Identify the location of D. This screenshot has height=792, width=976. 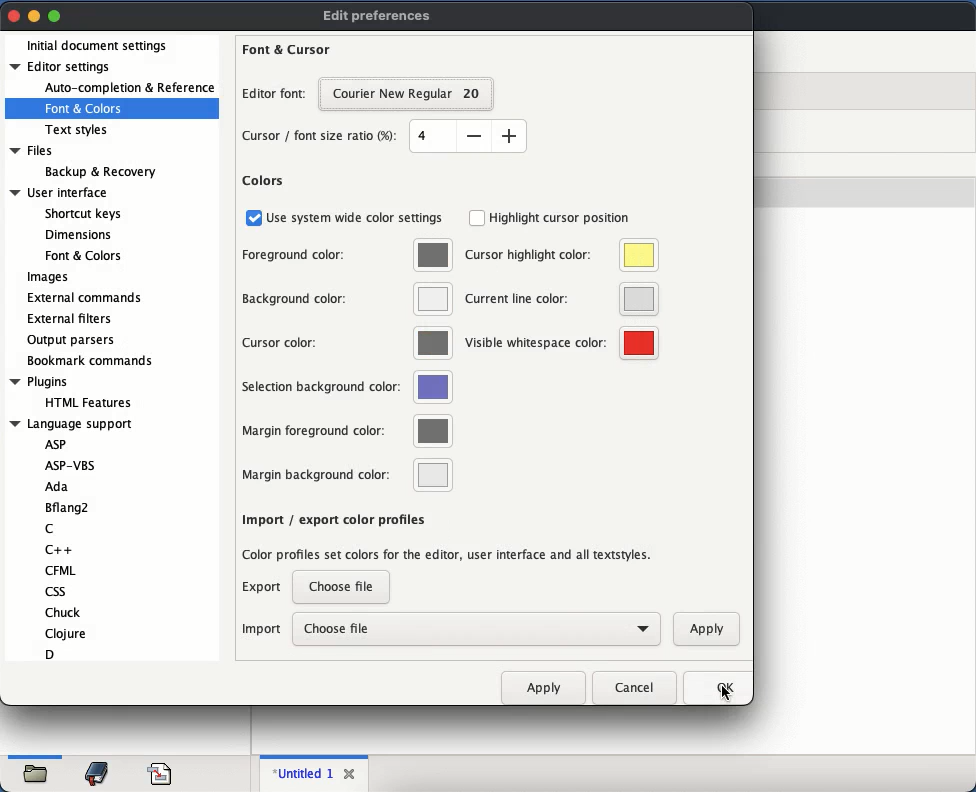
(53, 653).